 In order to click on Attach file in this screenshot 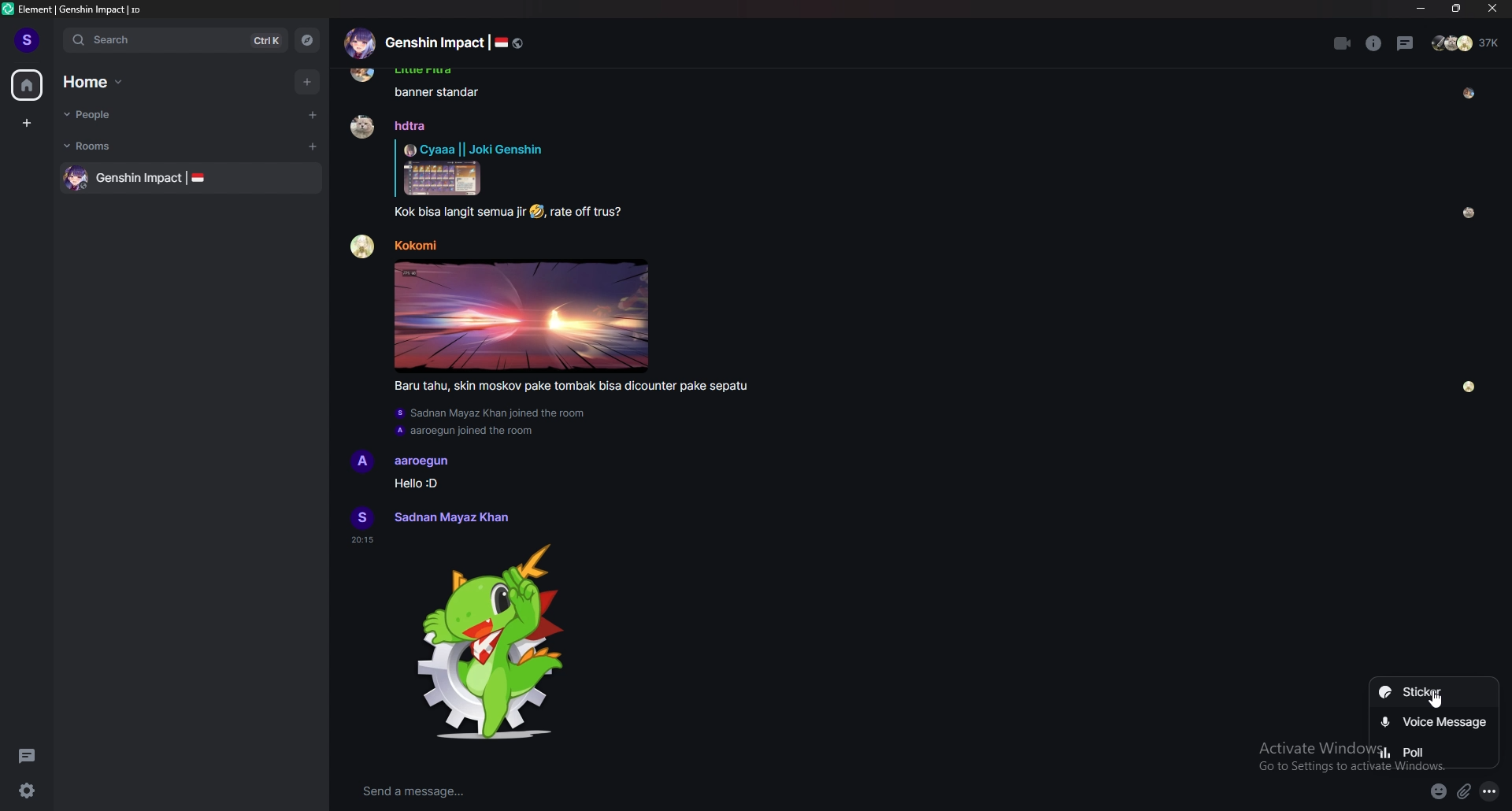, I will do `click(1464, 792)`.